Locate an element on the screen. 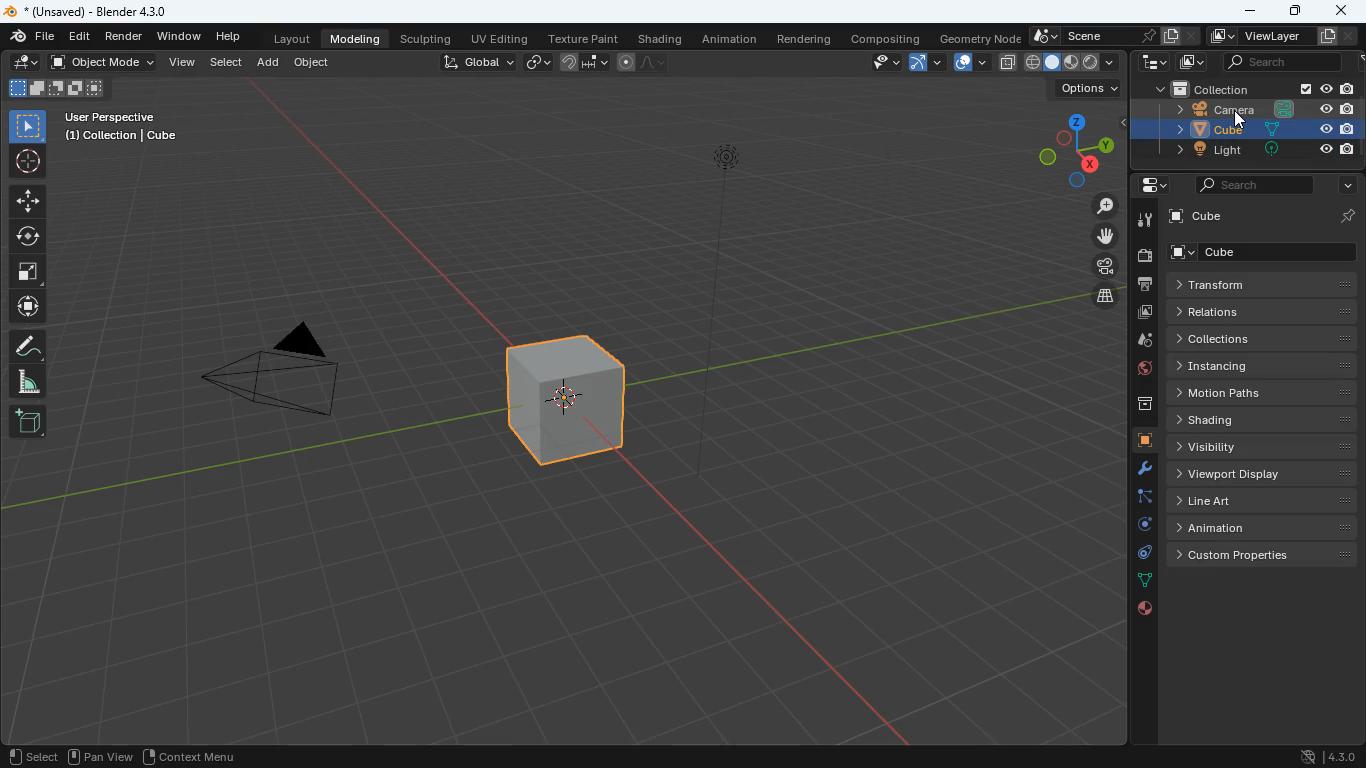 Image resolution: width=1366 pixels, height=768 pixels. select is located at coordinates (32, 754).